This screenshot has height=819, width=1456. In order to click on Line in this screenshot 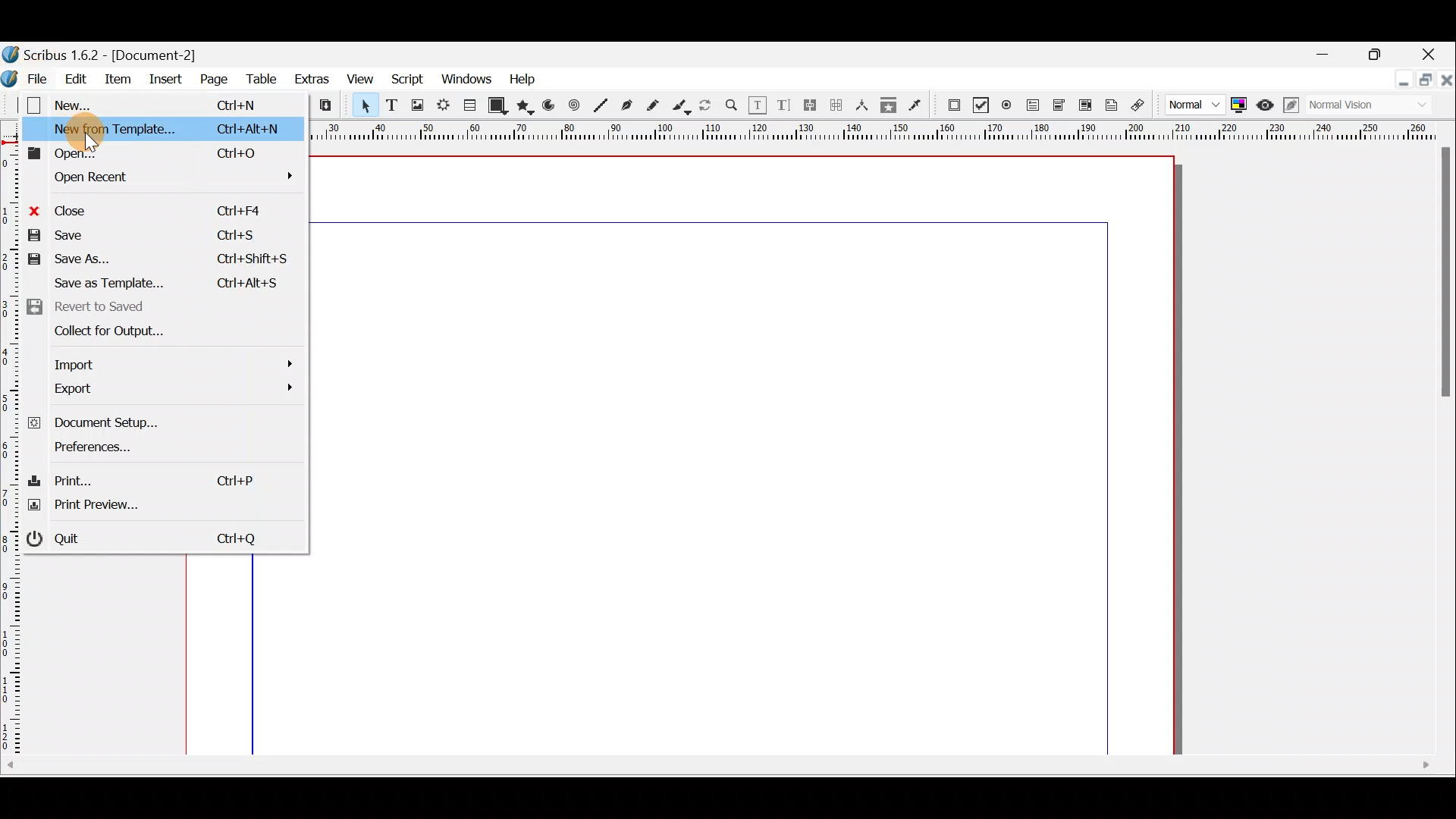, I will do `click(599, 106)`.